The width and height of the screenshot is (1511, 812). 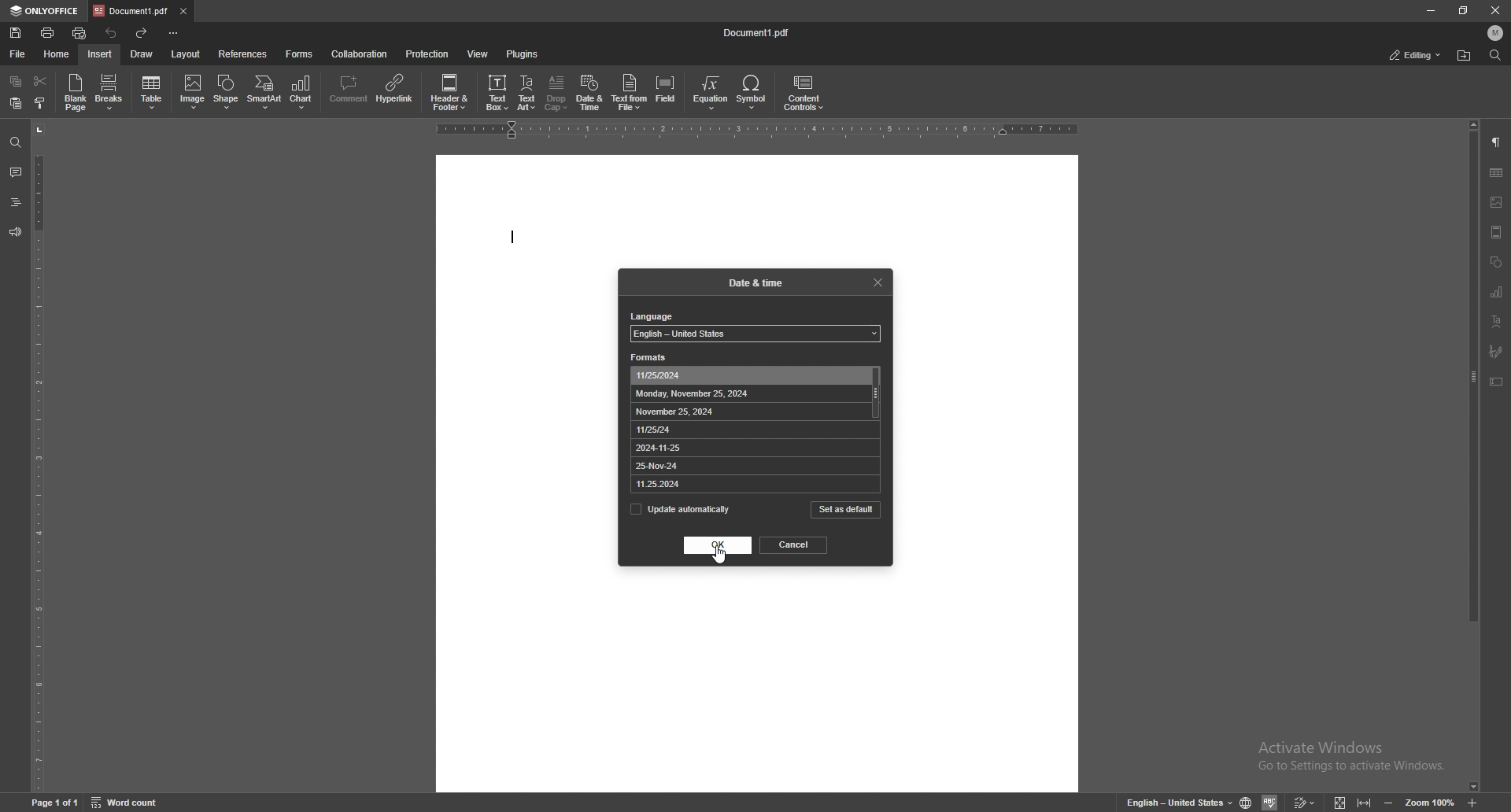 What do you see at coordinates (1474, 802) in the screenshot?
I see `zoom in` at bounding box center [1474, 802].